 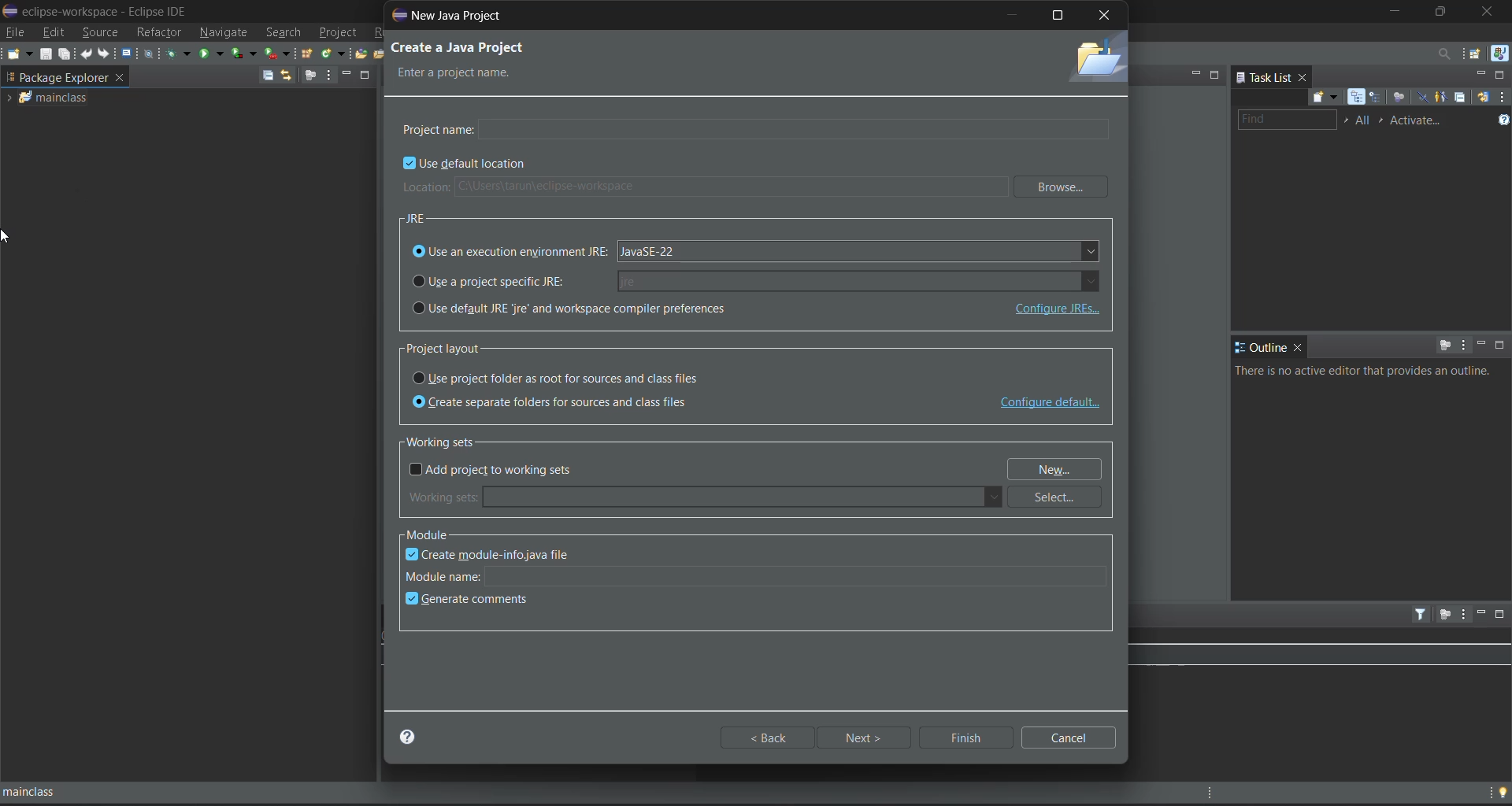 What do you see at coordinates (1499, 54) in the screenshot?
I see `java` at bounding box center [1499, 54].